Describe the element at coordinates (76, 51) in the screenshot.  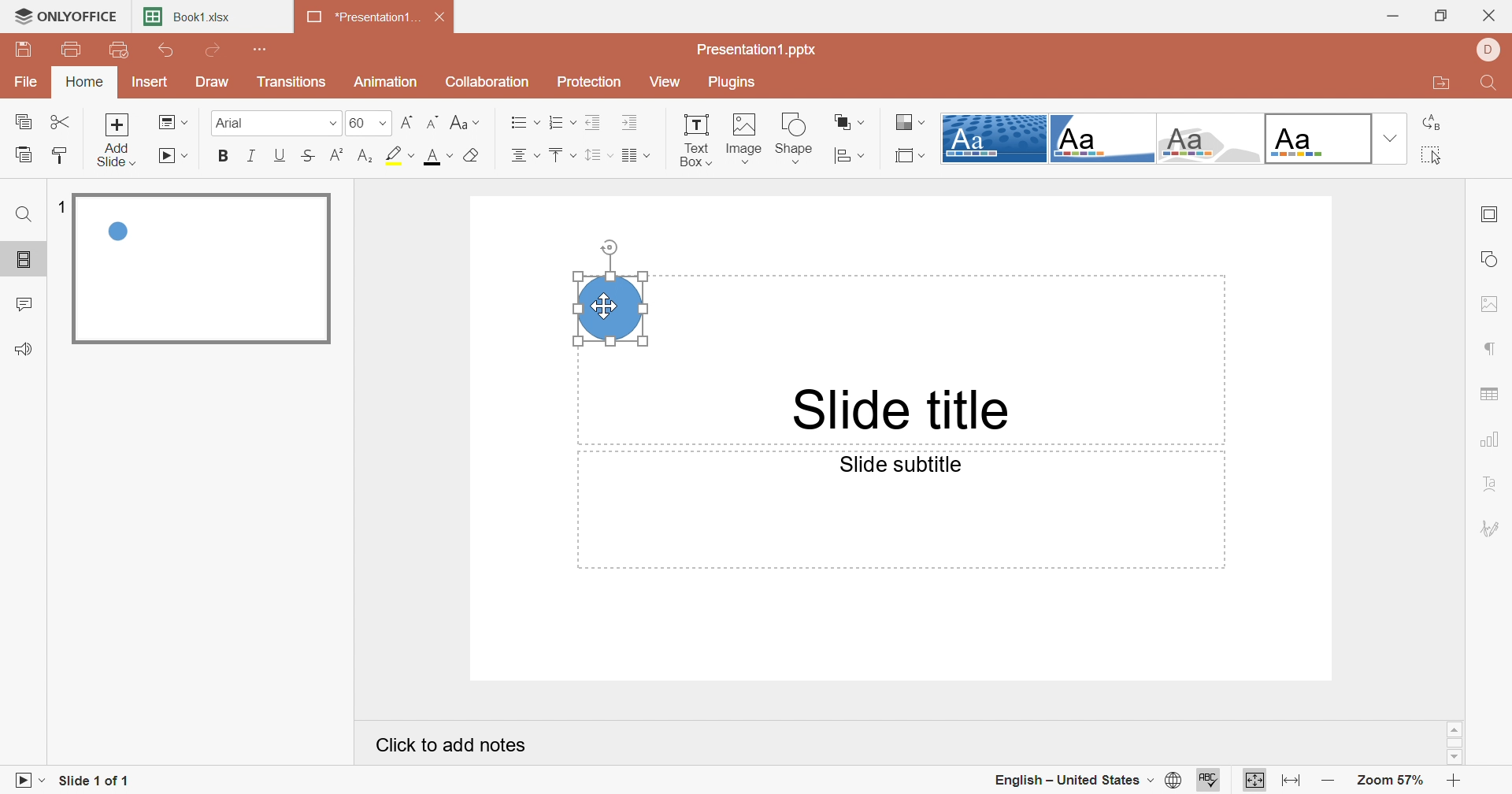
I see `Print` at that location.